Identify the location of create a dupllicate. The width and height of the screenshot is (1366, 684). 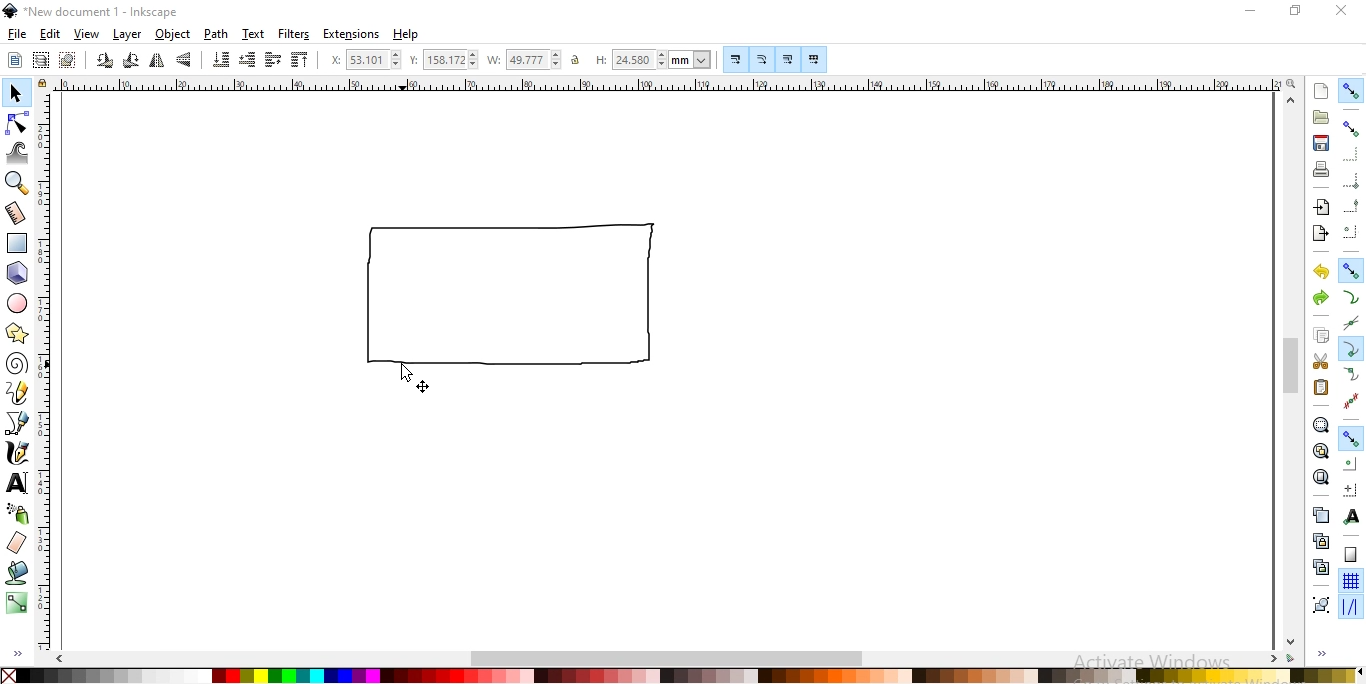
(1320, 515).